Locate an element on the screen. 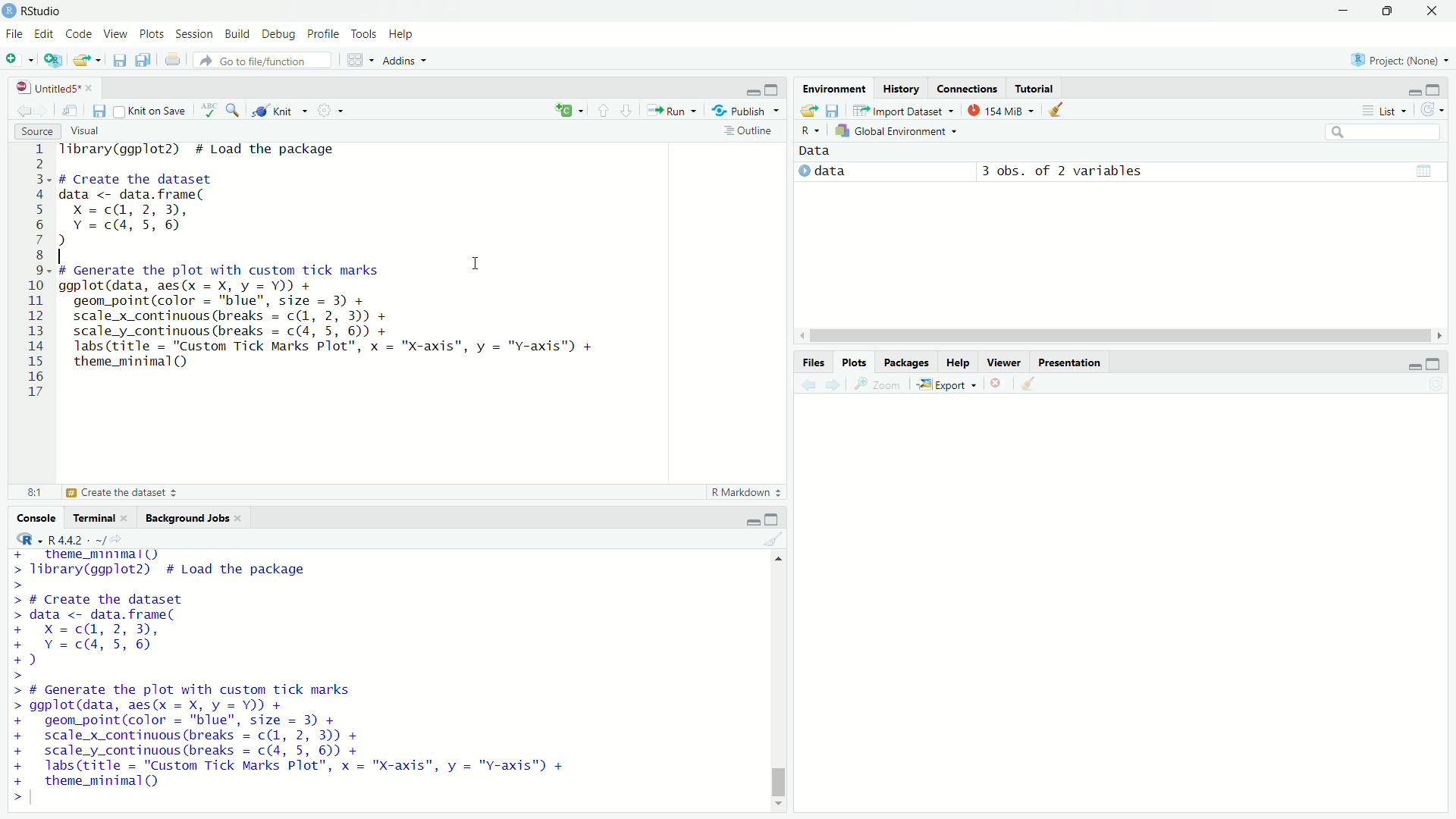 Image resolution: width=1456 pixels, height=819 pixels. build is located at coordinates (239, 33).